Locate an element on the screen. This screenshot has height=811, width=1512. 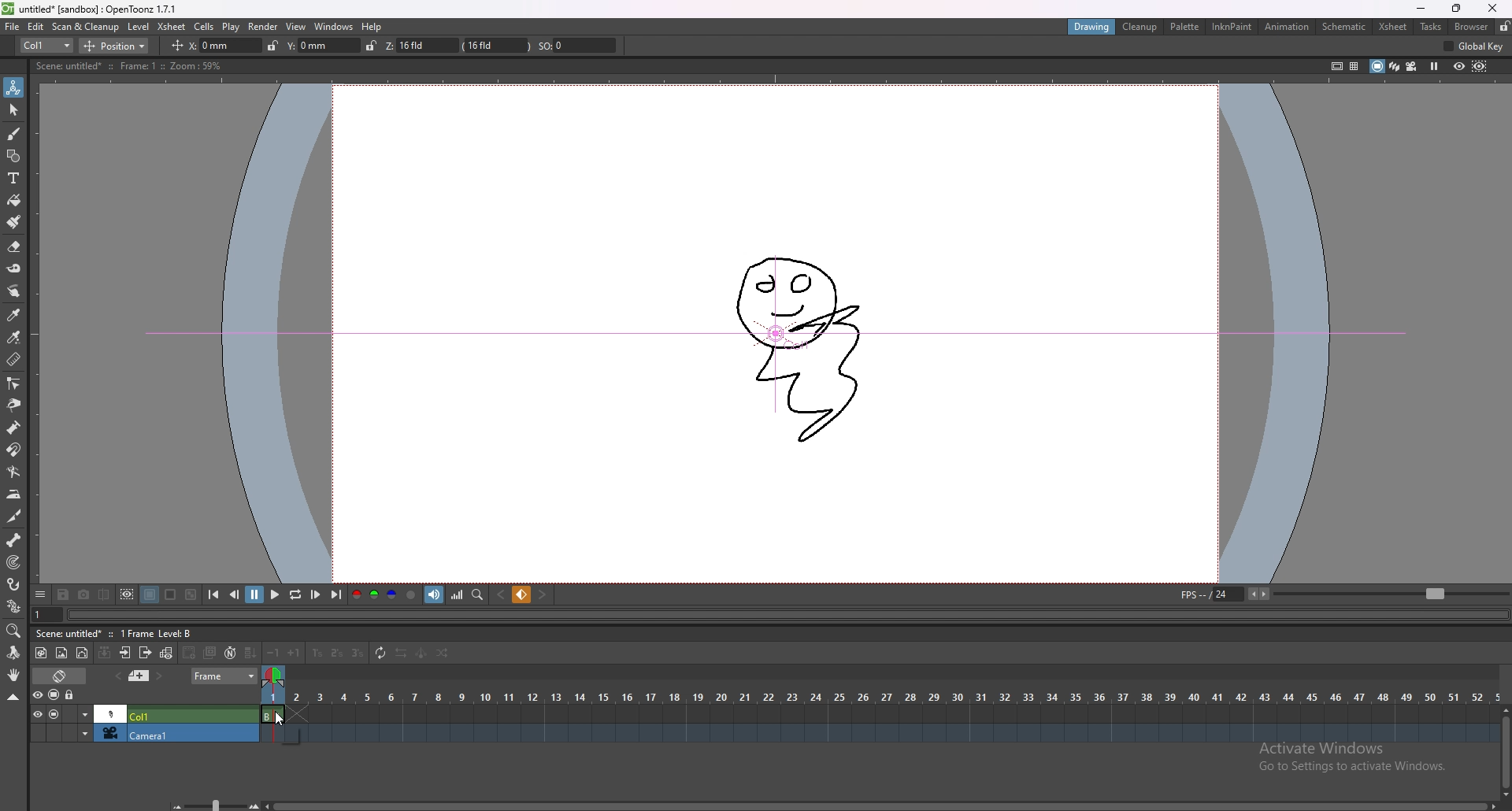
scroll bar is located at coordinates (1505, 749).